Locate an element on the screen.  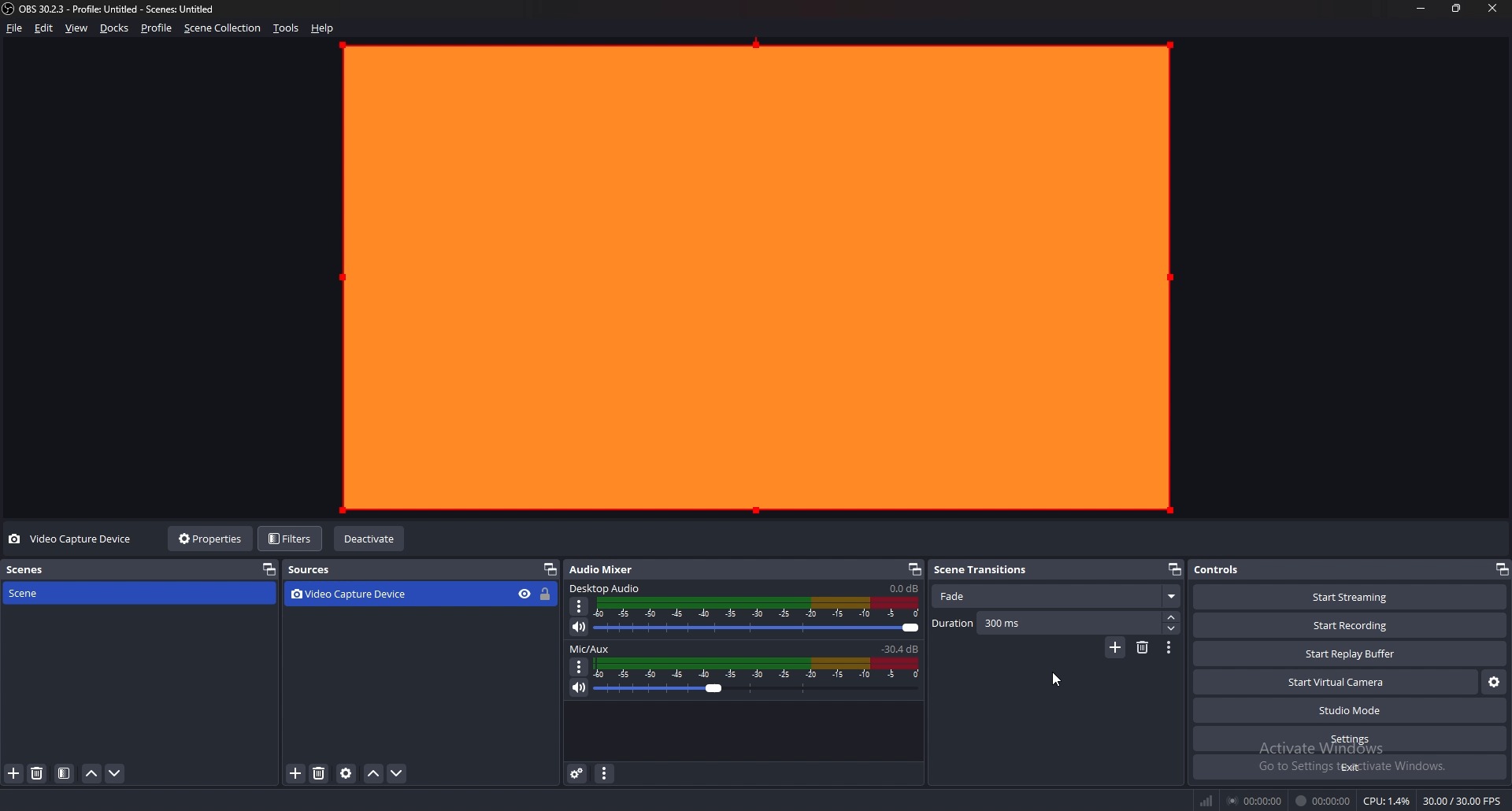
scene collection is located at coordinates (223, 28).